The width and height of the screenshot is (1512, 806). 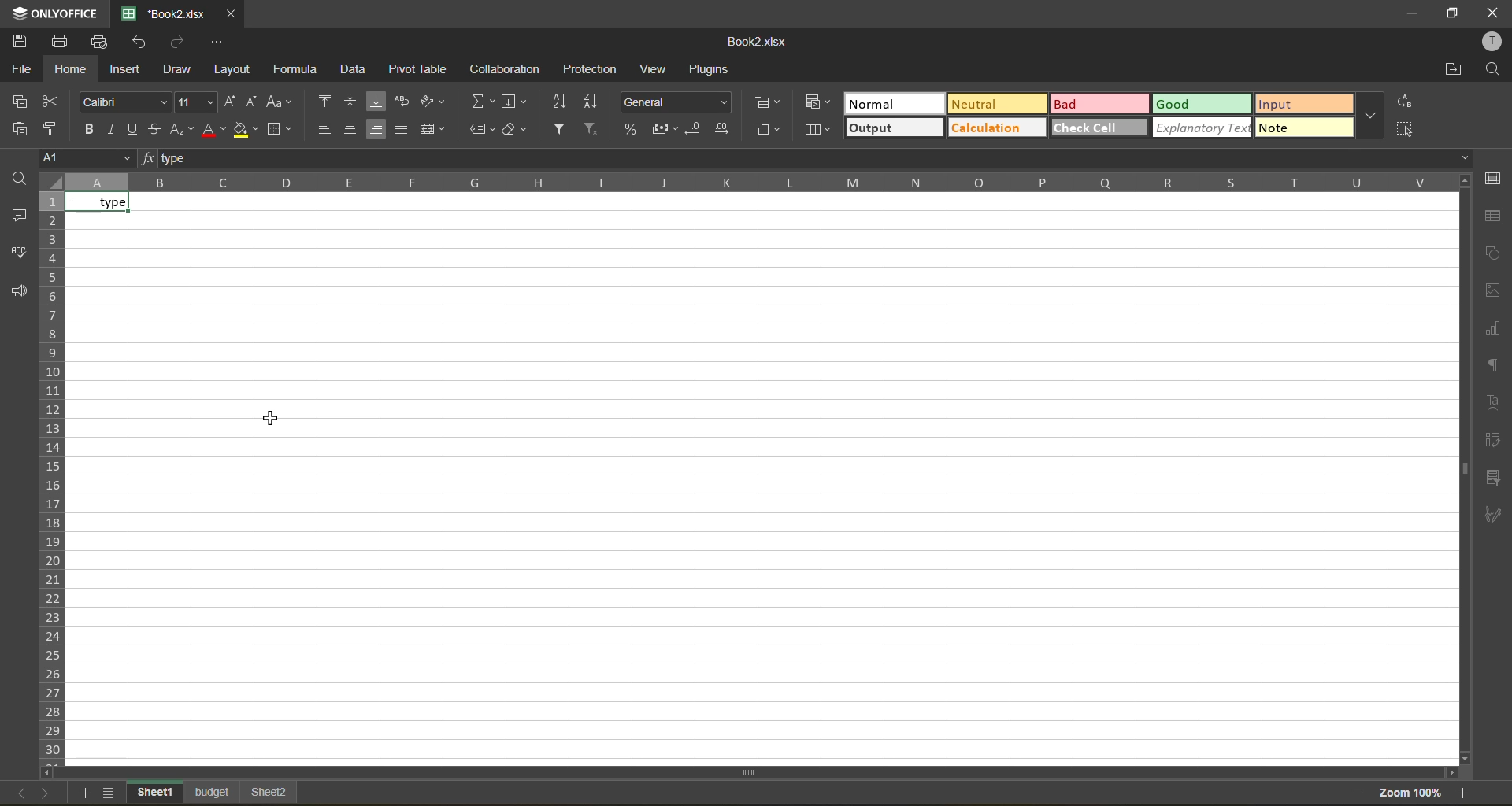 What do you see at coordinates (1496, 367) in the screenshot?
I see `paragraph` at bounding box center [1496, 367].